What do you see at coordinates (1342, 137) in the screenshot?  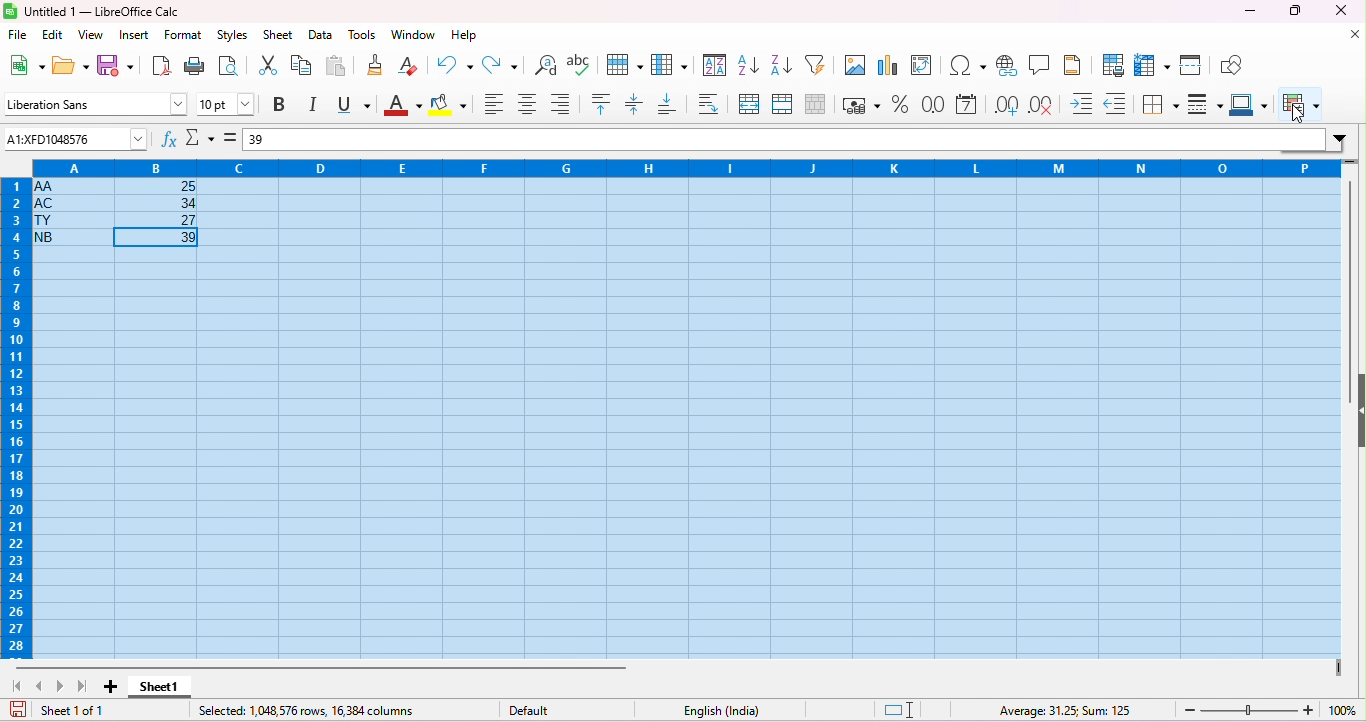 I see `drop down` at bounding box center [1342, 137].